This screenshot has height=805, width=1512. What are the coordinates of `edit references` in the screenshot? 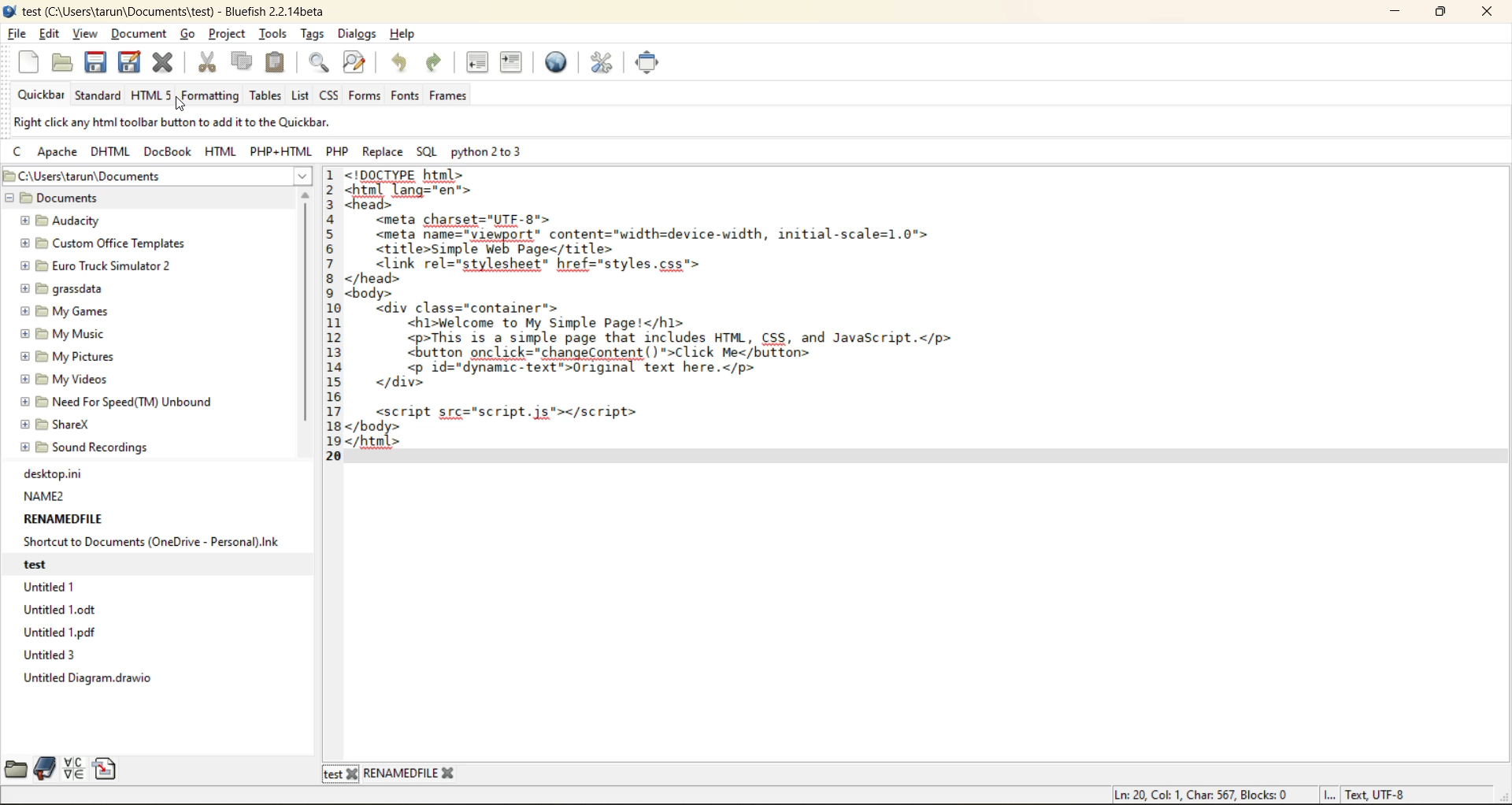 It's located at (599, 61).